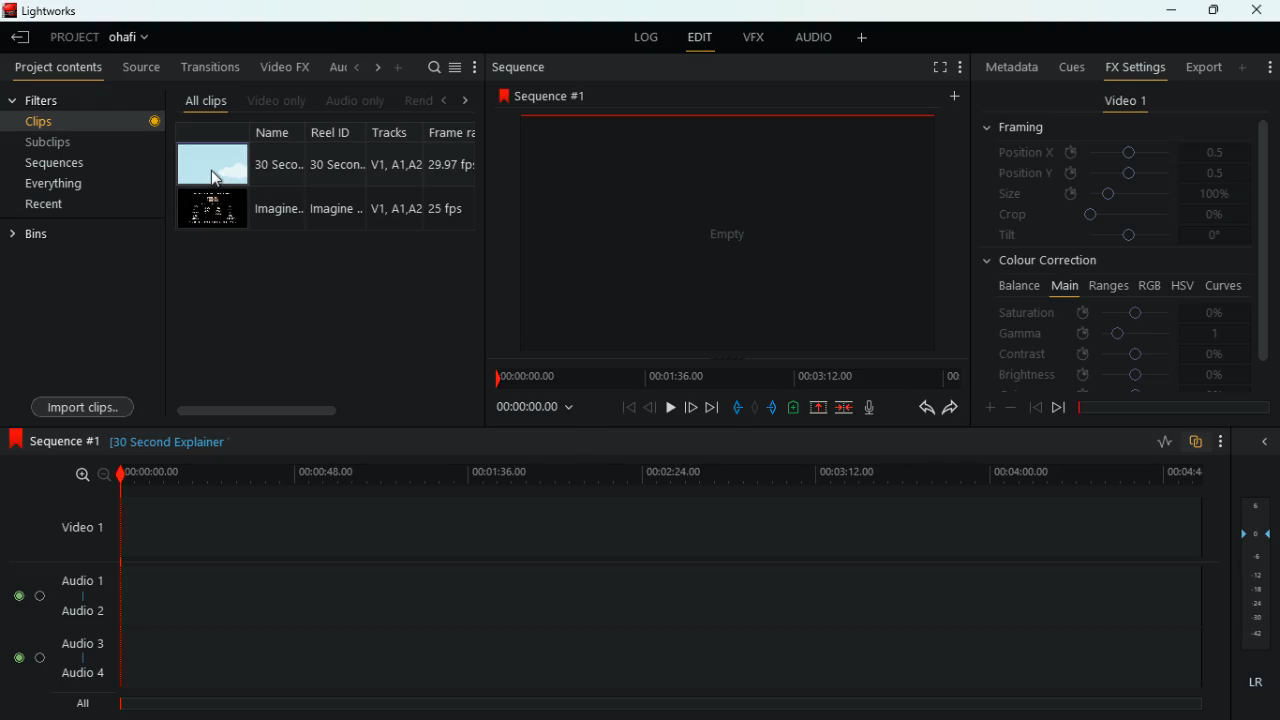 The image size is (1280, 720). Describe the element at coordinates (1222, 442) in the screenshot. I see `more` at that location.